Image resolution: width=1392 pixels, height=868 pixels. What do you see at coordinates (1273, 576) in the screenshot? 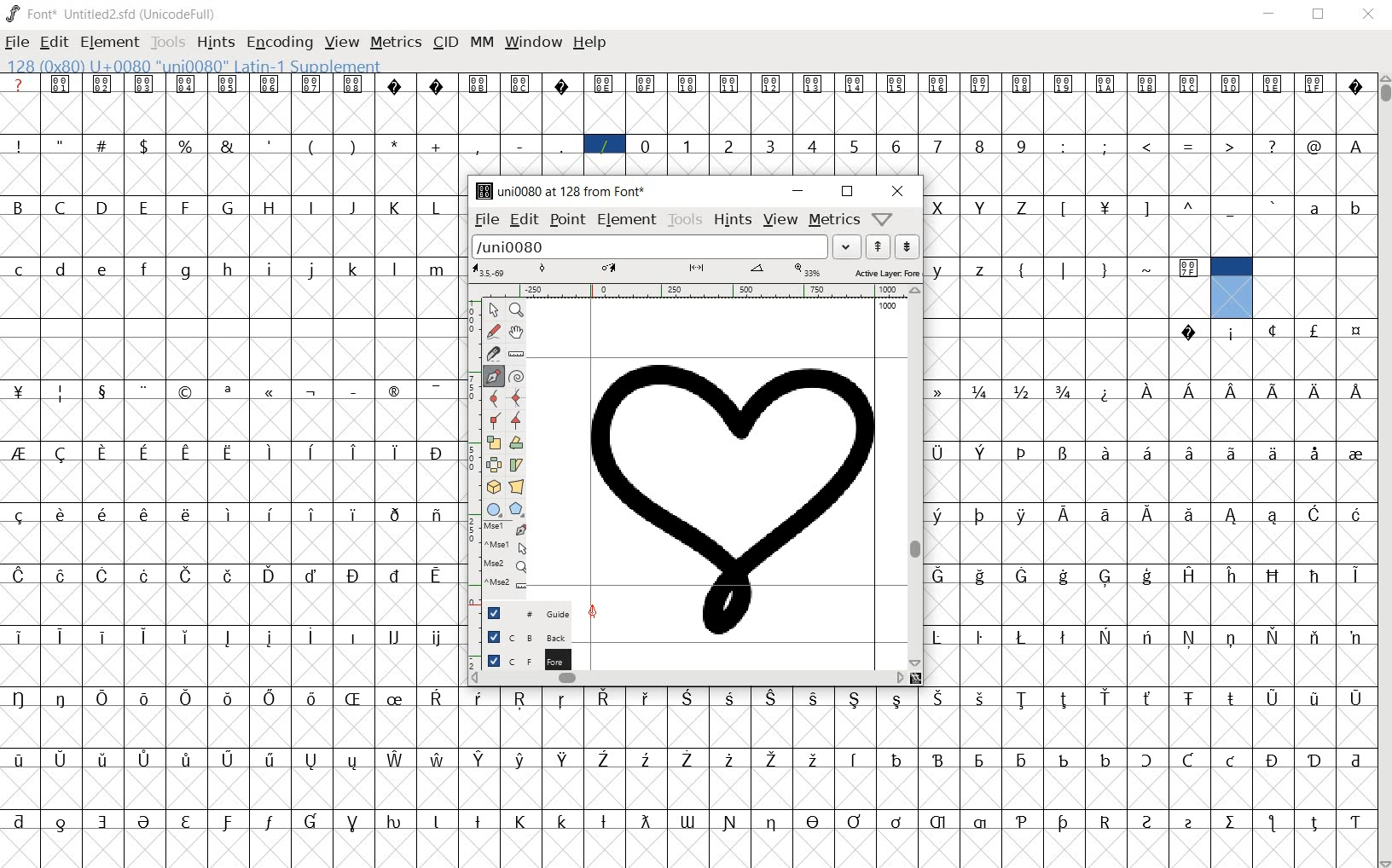
I see `glyph` at bounding box center [1273, 576].